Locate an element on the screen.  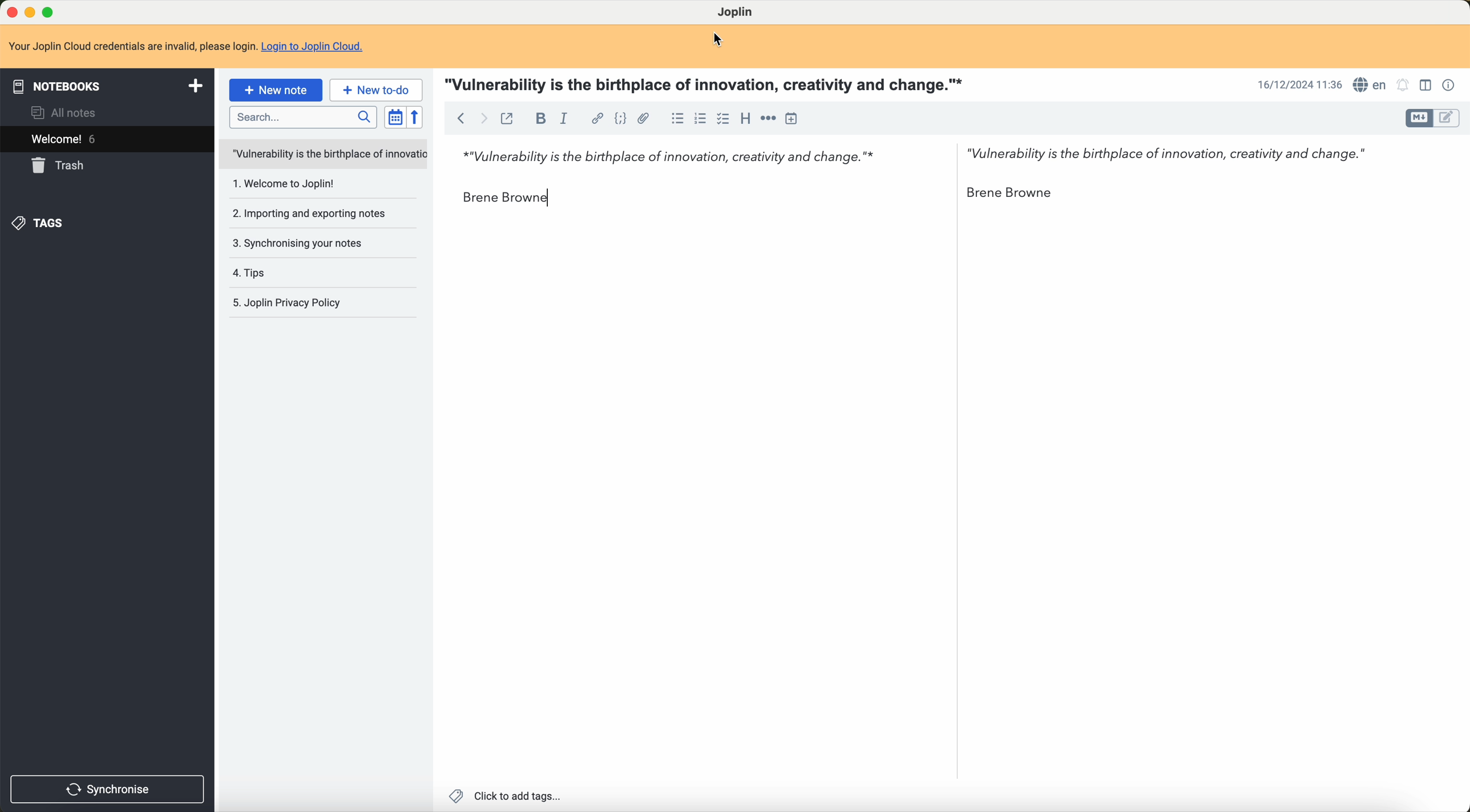
1.welcome to Joplin is located at coordinates (288, 185).